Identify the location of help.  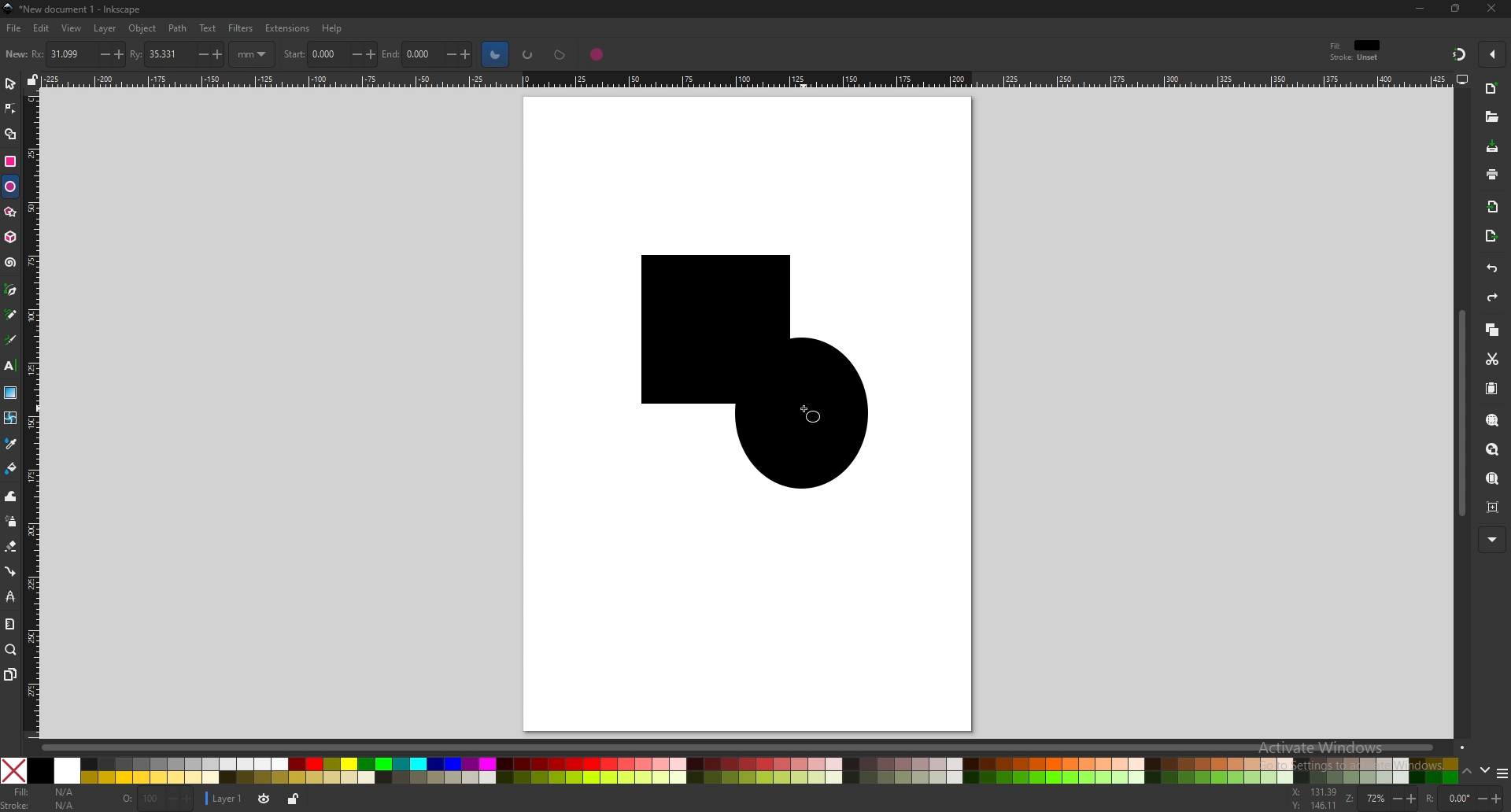
(331, 28).